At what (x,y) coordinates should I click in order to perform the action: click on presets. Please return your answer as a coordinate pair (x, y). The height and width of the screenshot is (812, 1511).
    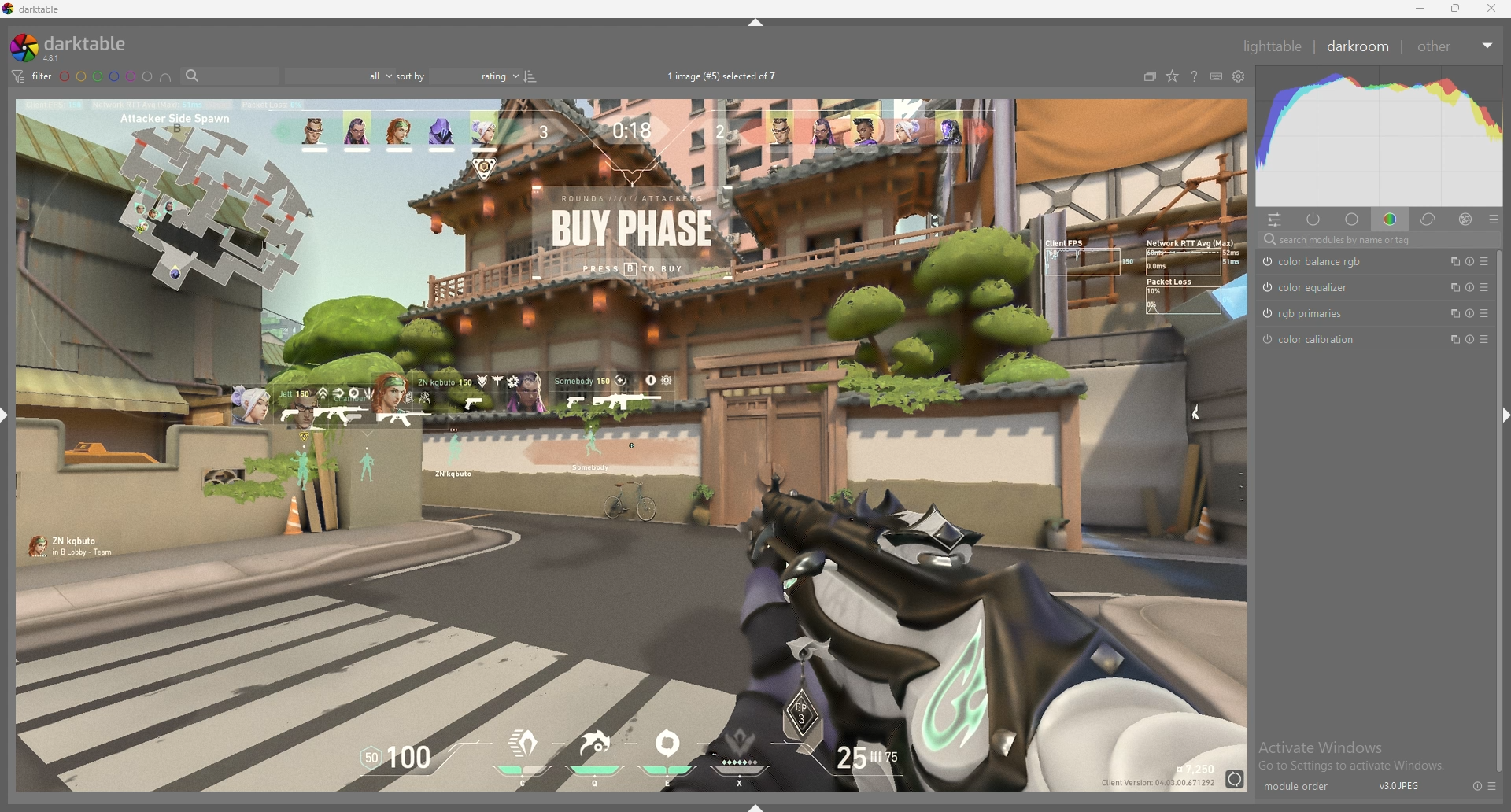
    Looking at the image, I should click on (1485, 338).